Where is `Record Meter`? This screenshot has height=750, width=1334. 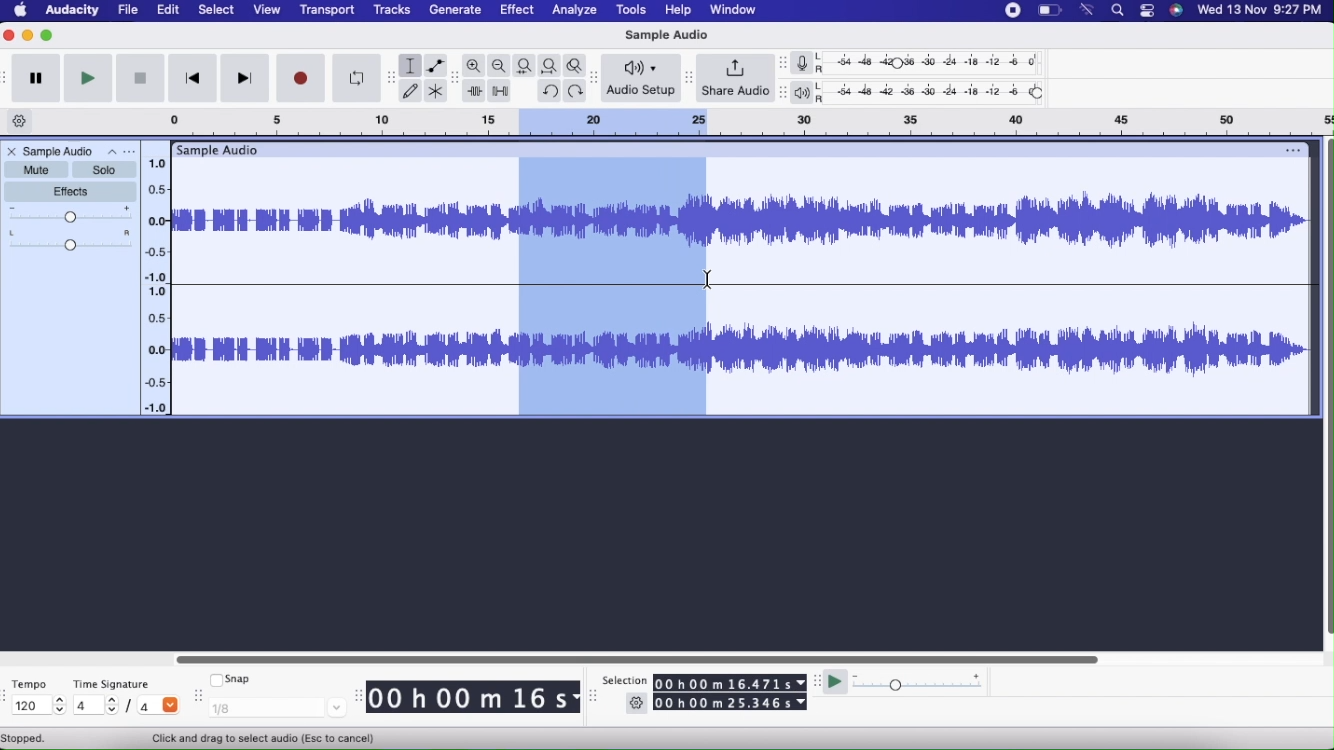 Record Meter is located at coordinates (808, 63).